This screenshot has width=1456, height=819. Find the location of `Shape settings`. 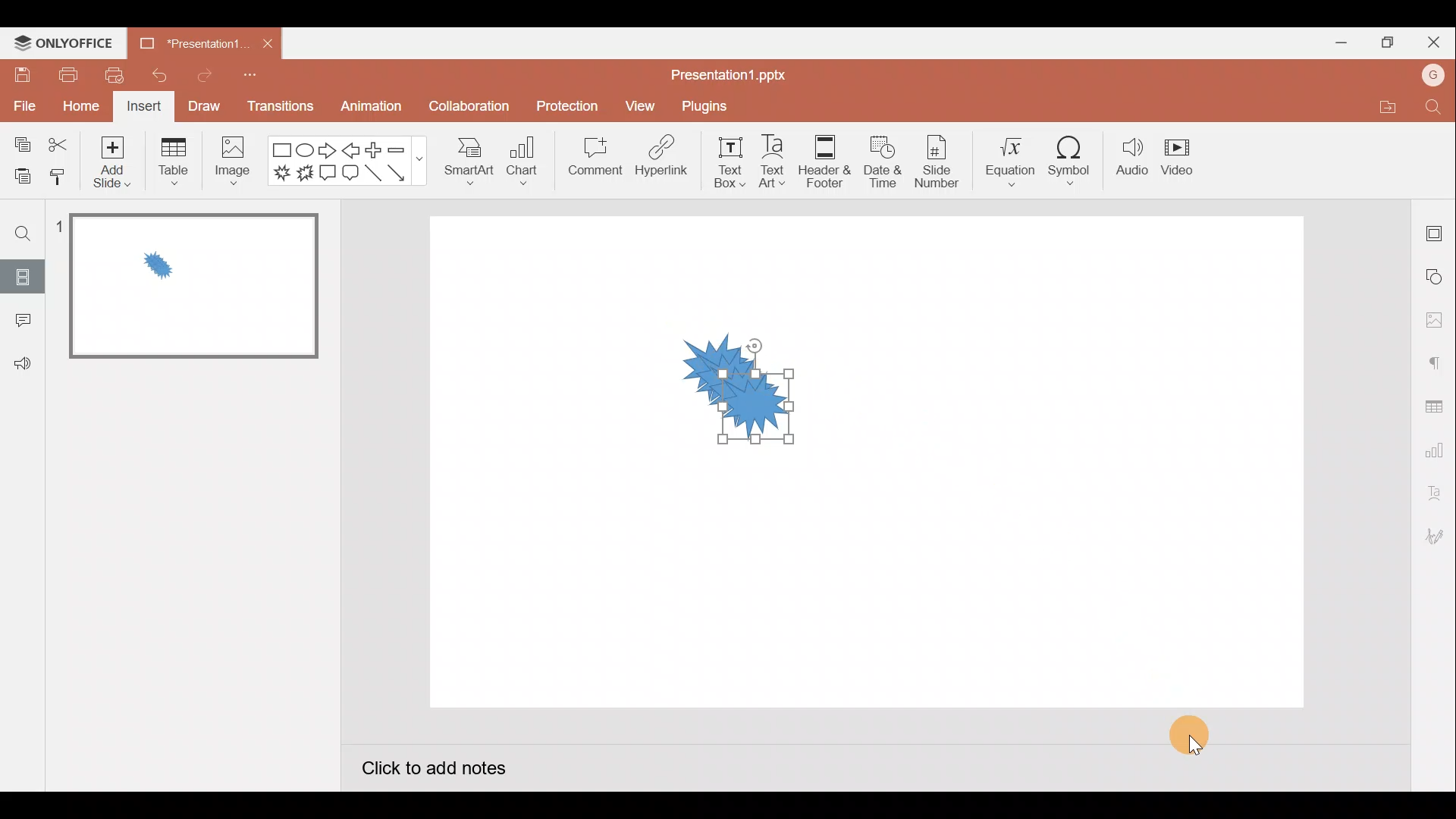

Shape settings is located at coordinates (1437, 275).